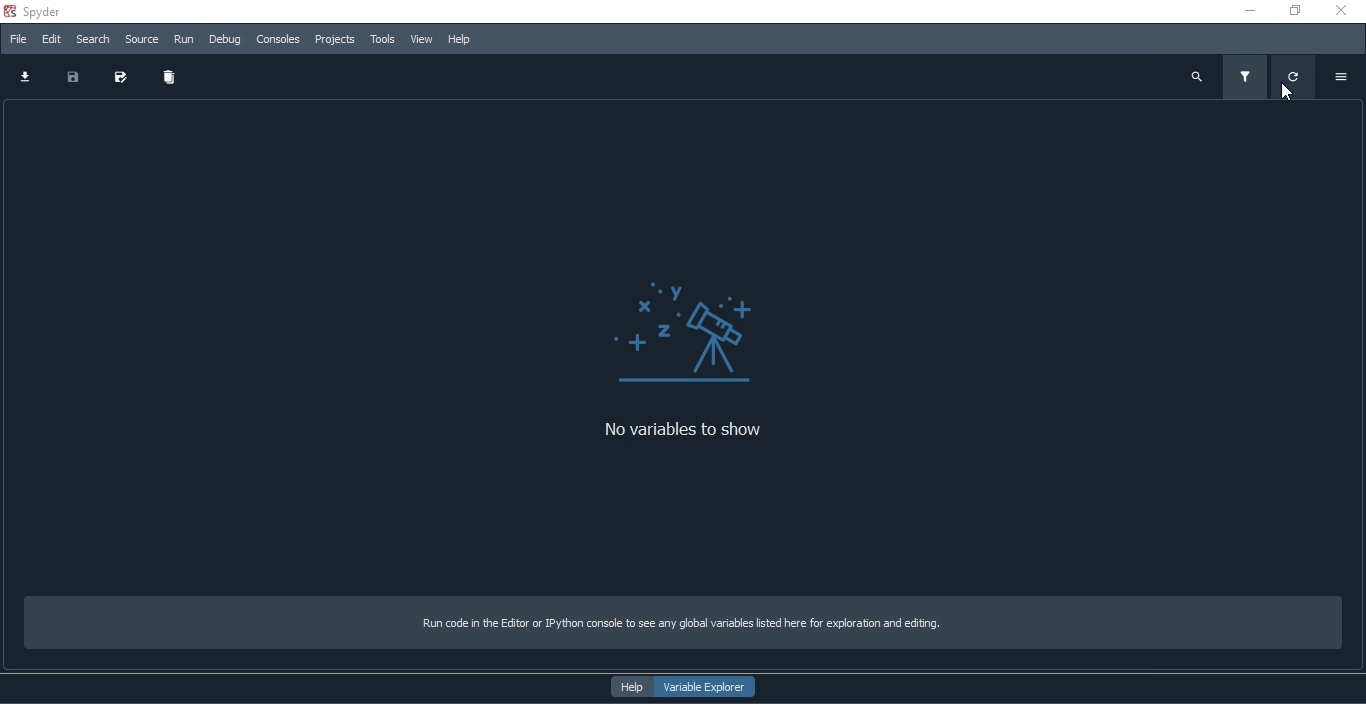  What do you see at coordinates (52, 38) in the screenshot?
I see `Edit` at bounding box center [52, 38].